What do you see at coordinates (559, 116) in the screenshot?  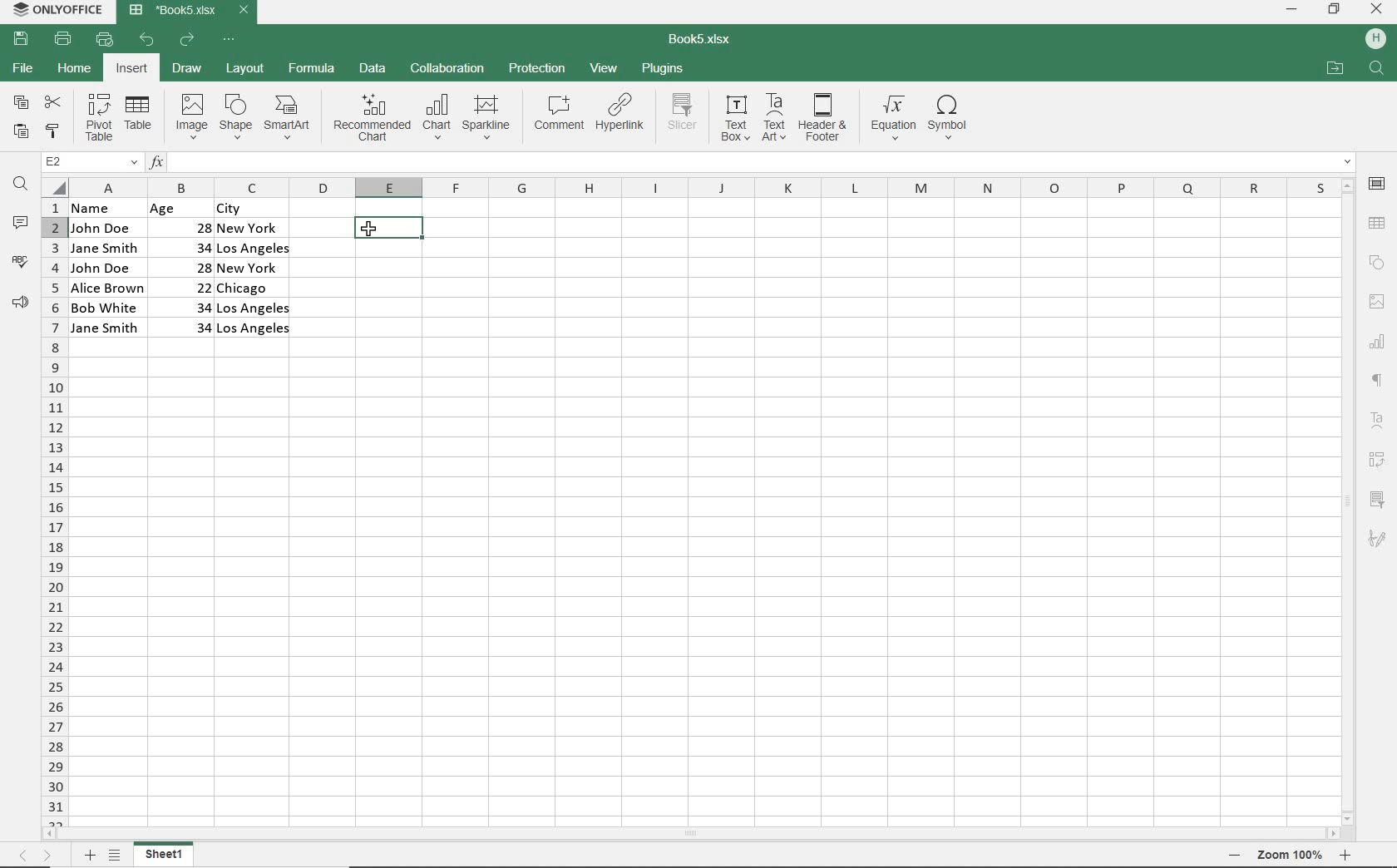 I see `COMMENT` at bounding box center [559, 116].